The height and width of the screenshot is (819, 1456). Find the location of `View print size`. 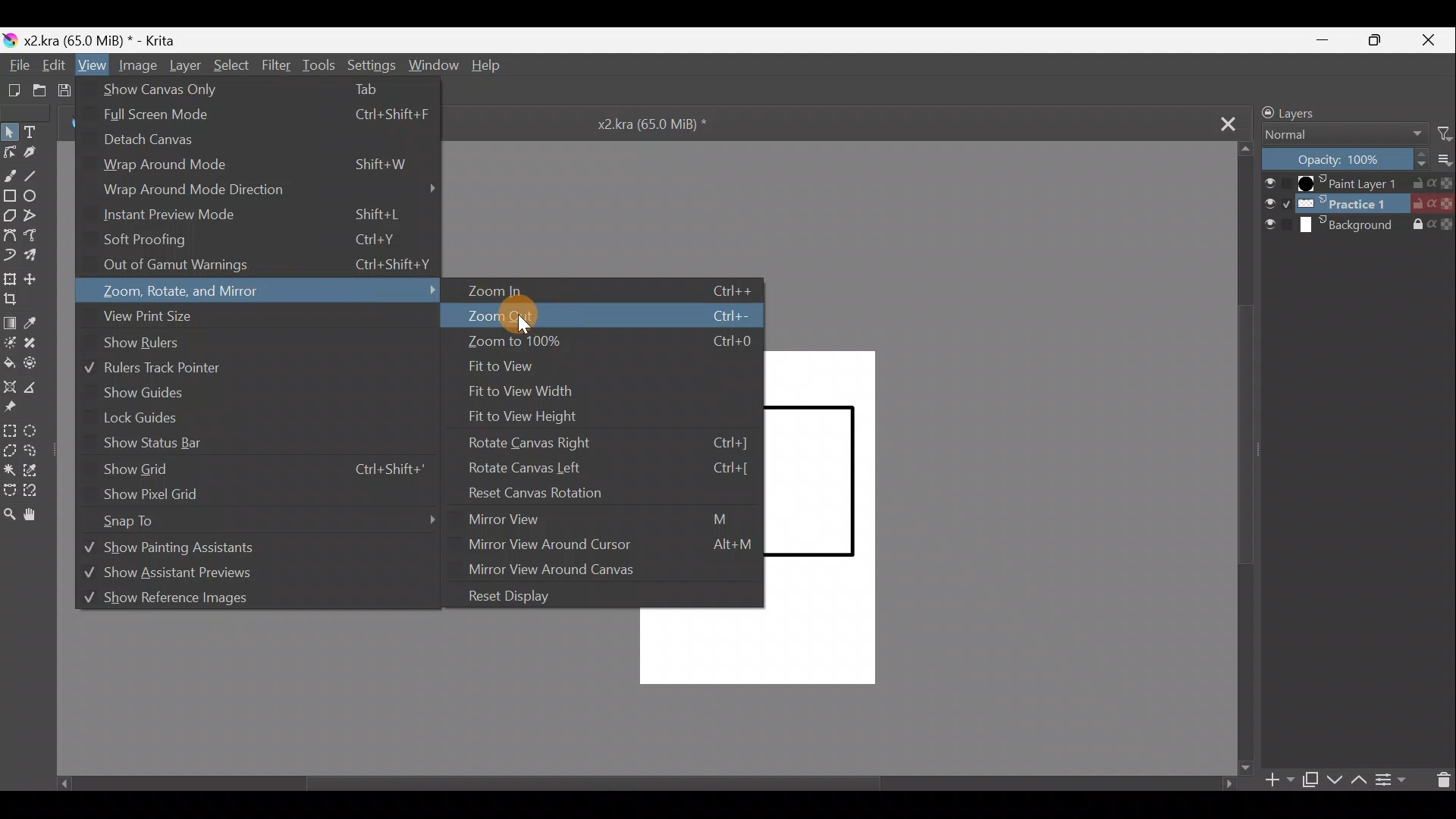

View print size is located at coordinates (260, 318).